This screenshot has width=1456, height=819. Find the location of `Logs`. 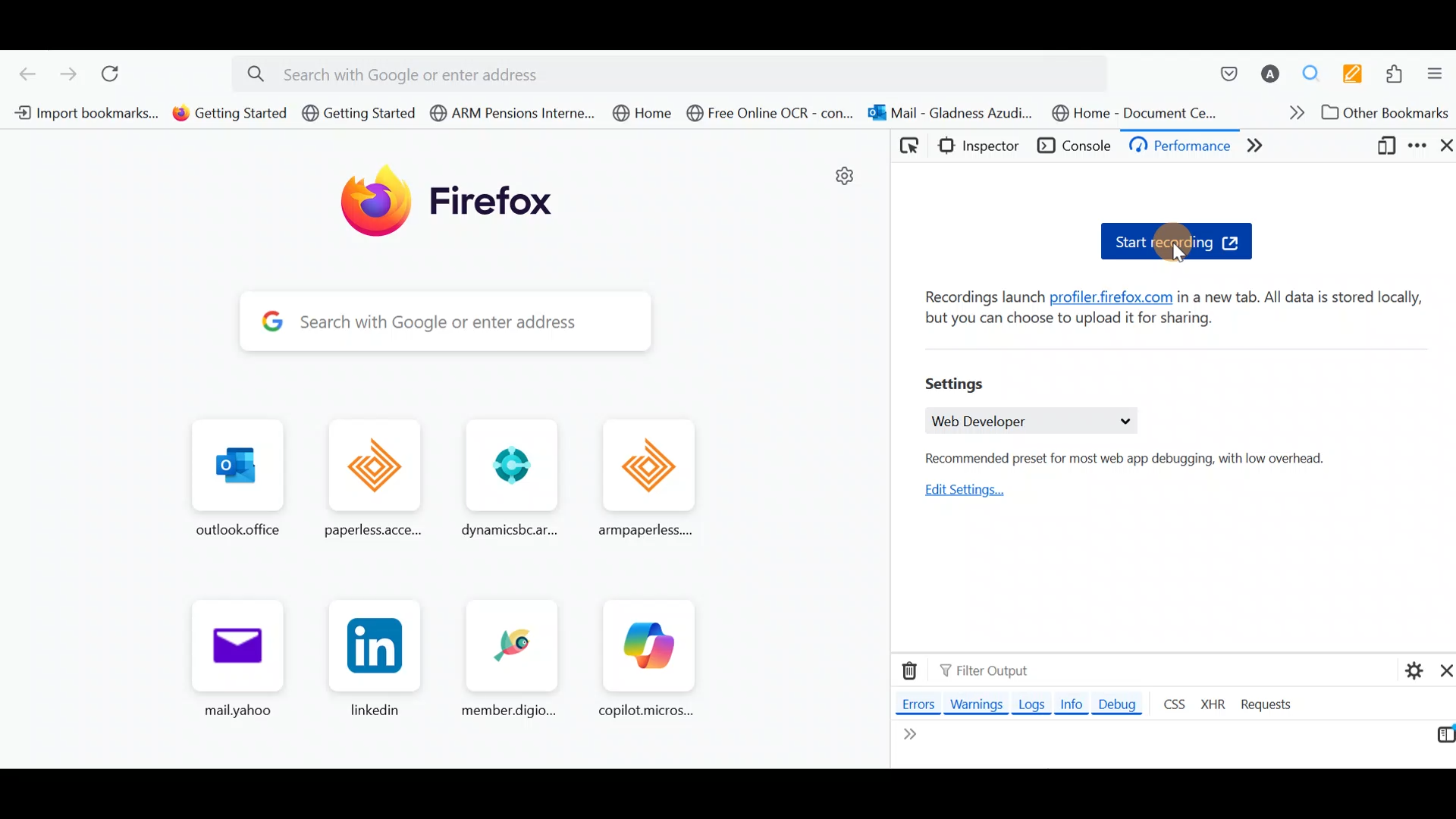

Logs is located at coordinates (1030, 704).